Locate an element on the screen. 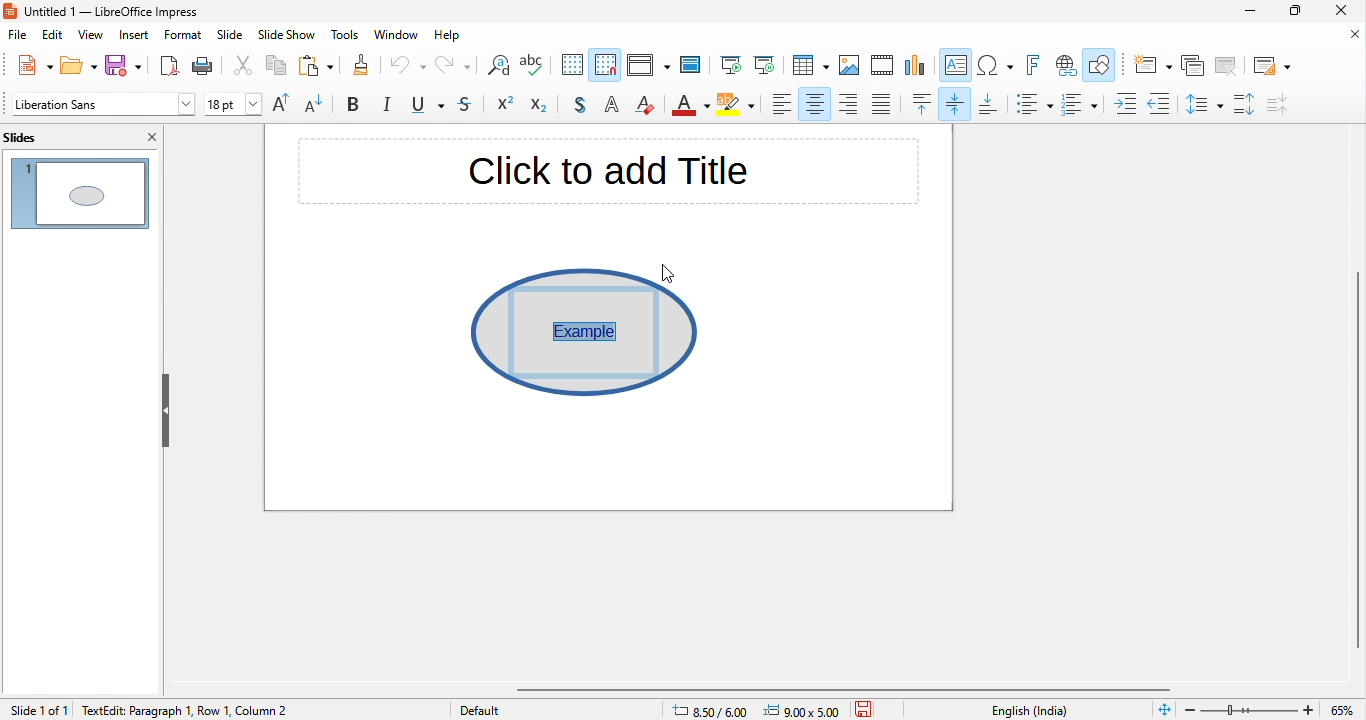  new is located at coordinates (28, 65).